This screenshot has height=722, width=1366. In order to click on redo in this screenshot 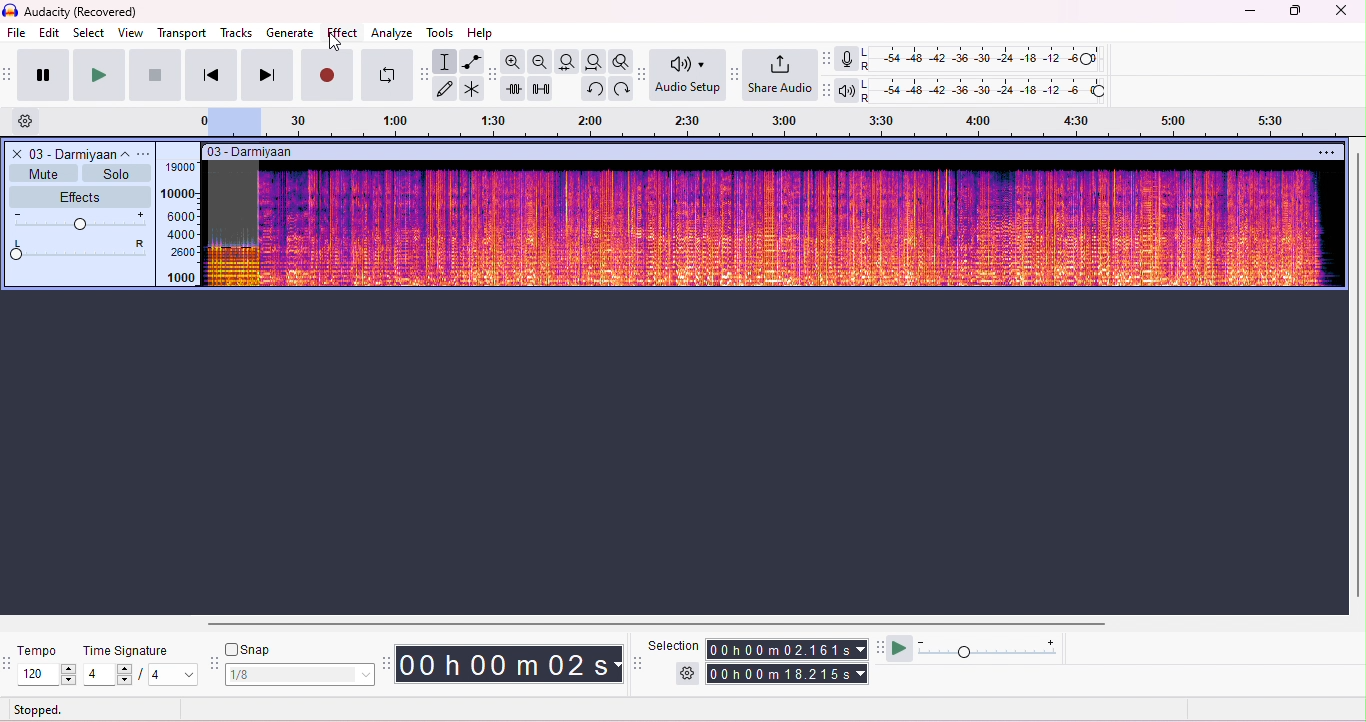, I will do `click(623, 89)`.